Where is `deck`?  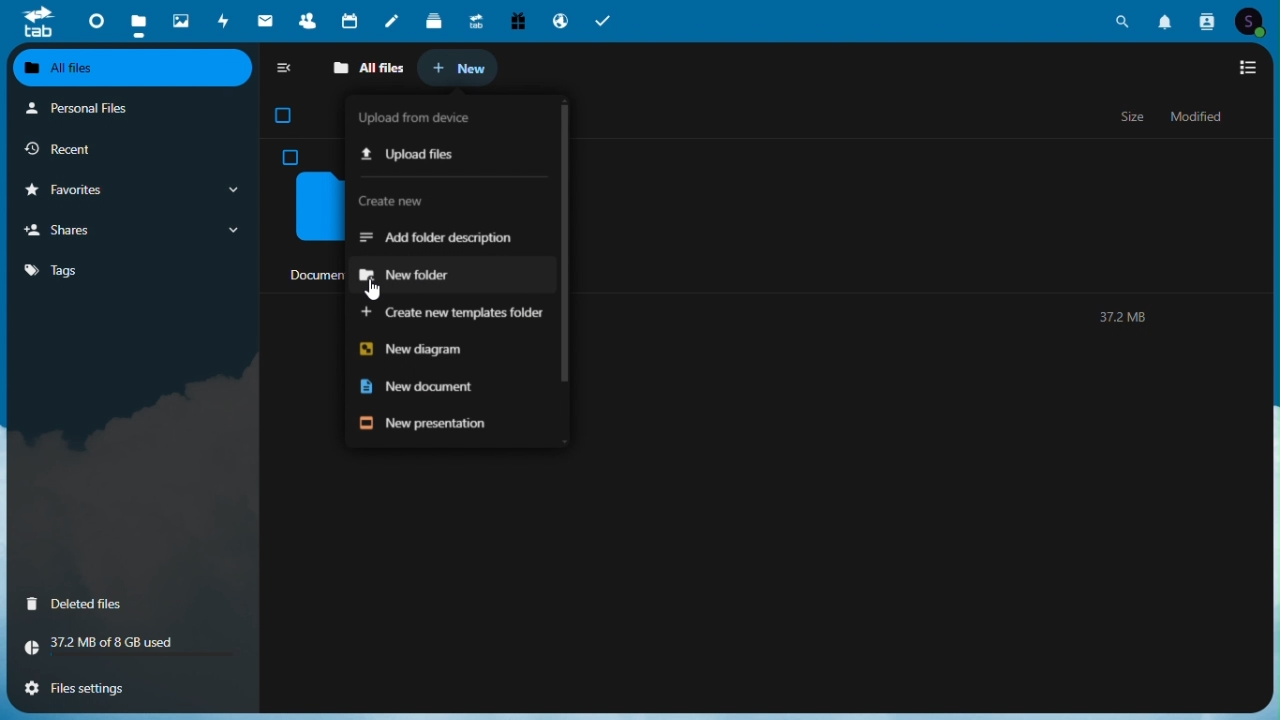
deck is located at coordinates (435, 19).